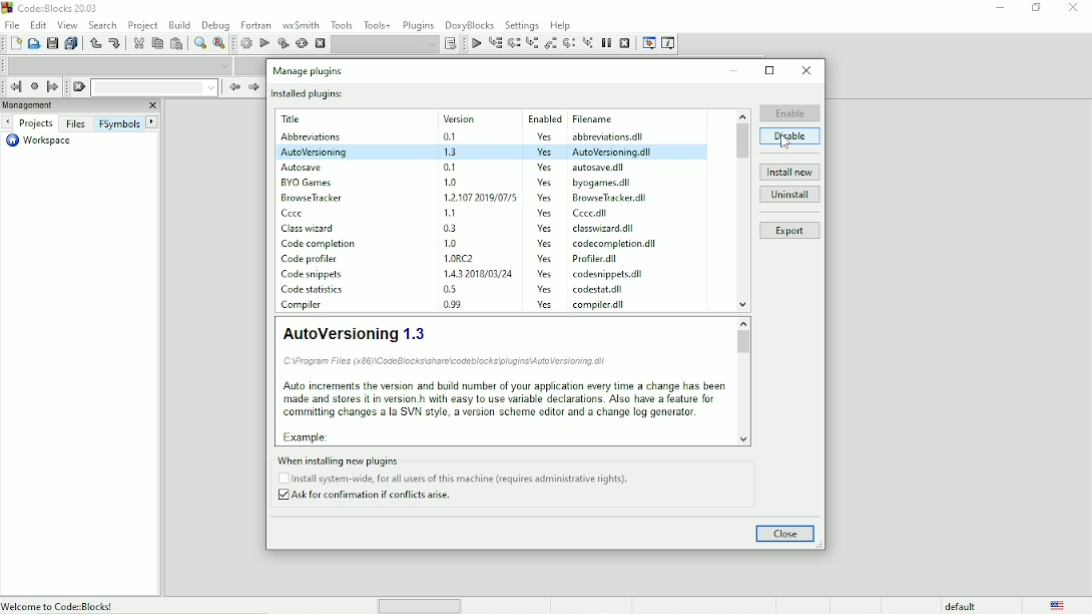 This screenshot has height=614, width=1092. What do you see at coordinates (605, 198) in the screenshot?
I see `BrowseTracker.dll` at bounding box center [605, 198].